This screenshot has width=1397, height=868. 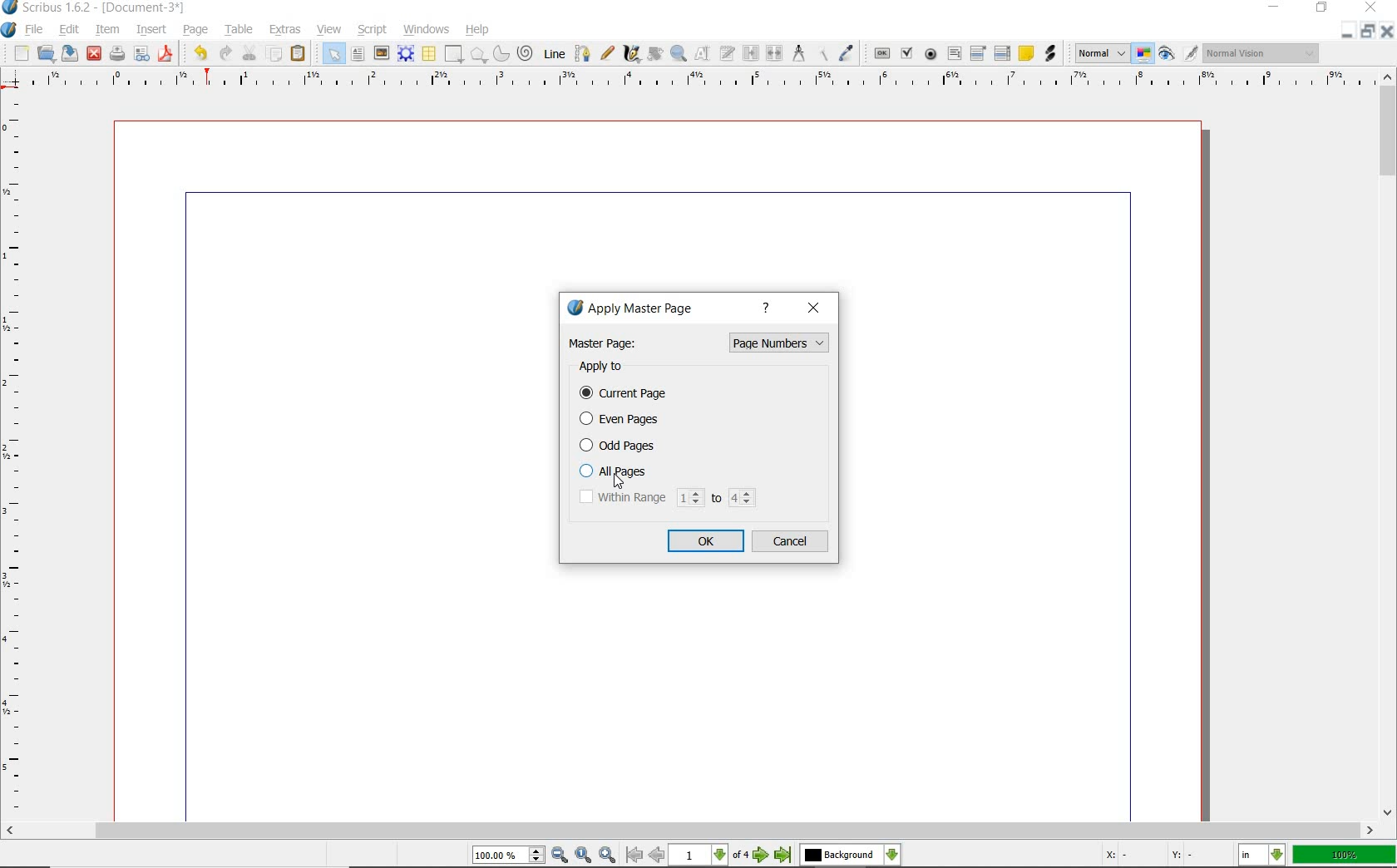 I want to click on rotate item, so click(x=654, y=53).